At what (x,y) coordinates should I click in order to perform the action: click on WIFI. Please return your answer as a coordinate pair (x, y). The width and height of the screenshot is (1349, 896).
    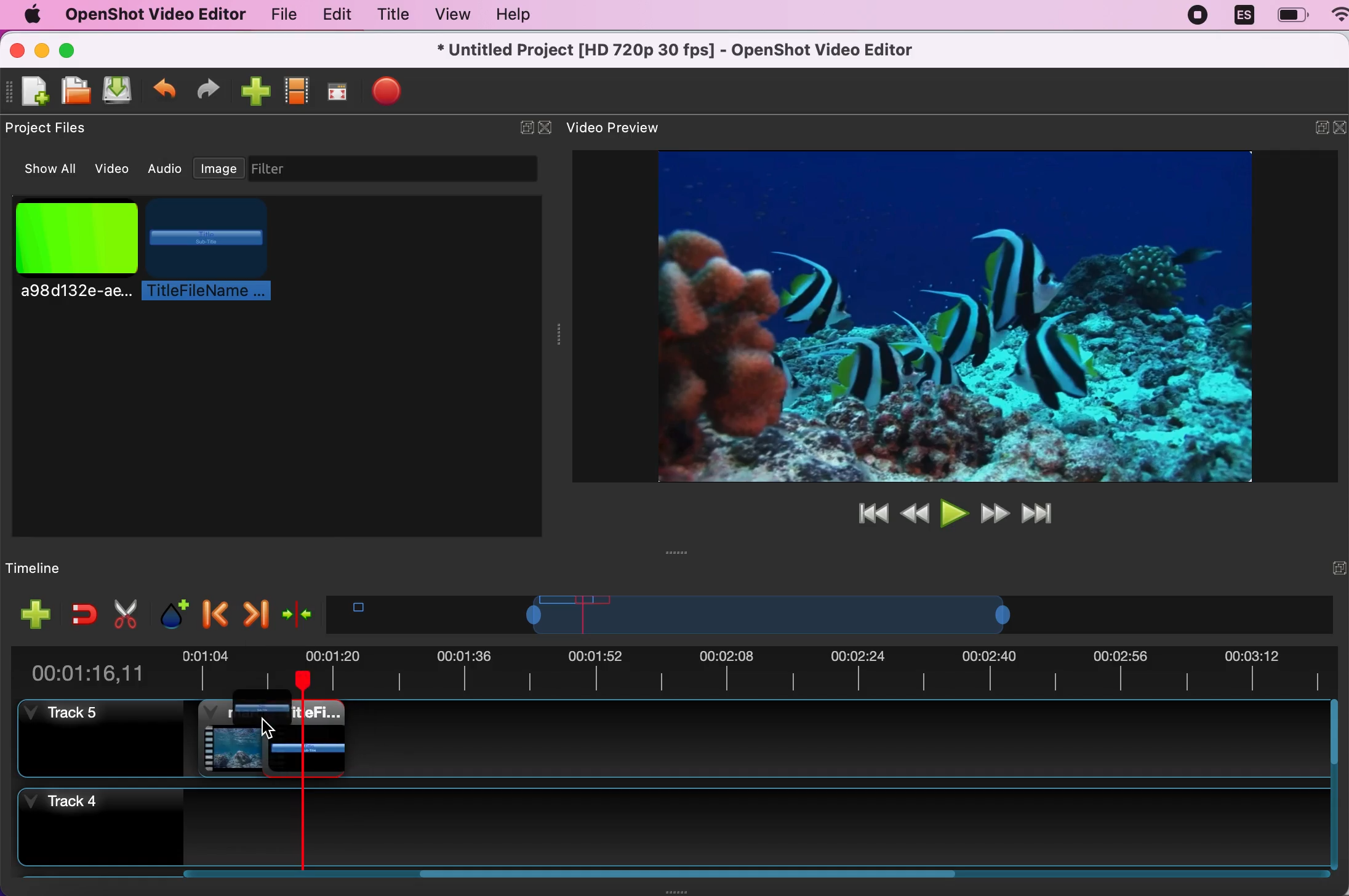
    Looking at the image, I should click on (1340, 14).